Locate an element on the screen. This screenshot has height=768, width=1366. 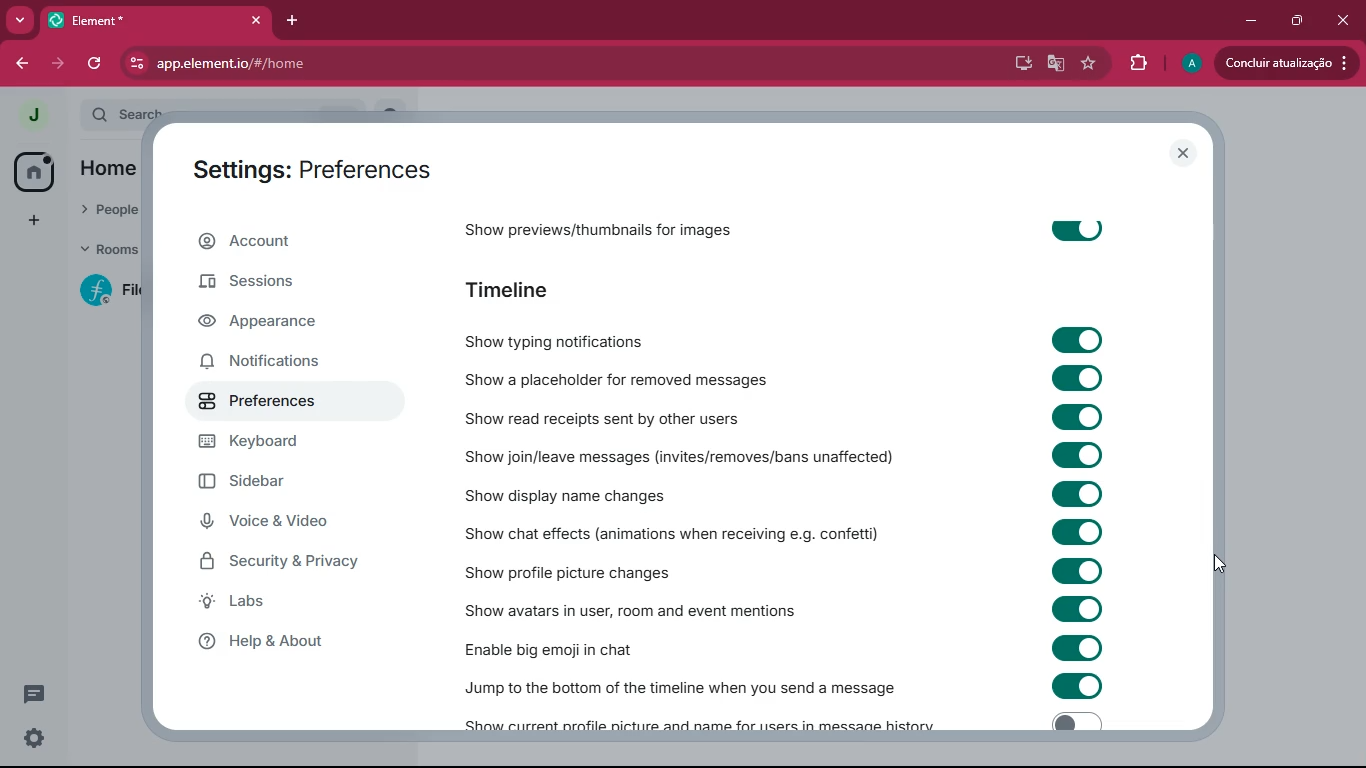
close is located at coordinates (251, 20).